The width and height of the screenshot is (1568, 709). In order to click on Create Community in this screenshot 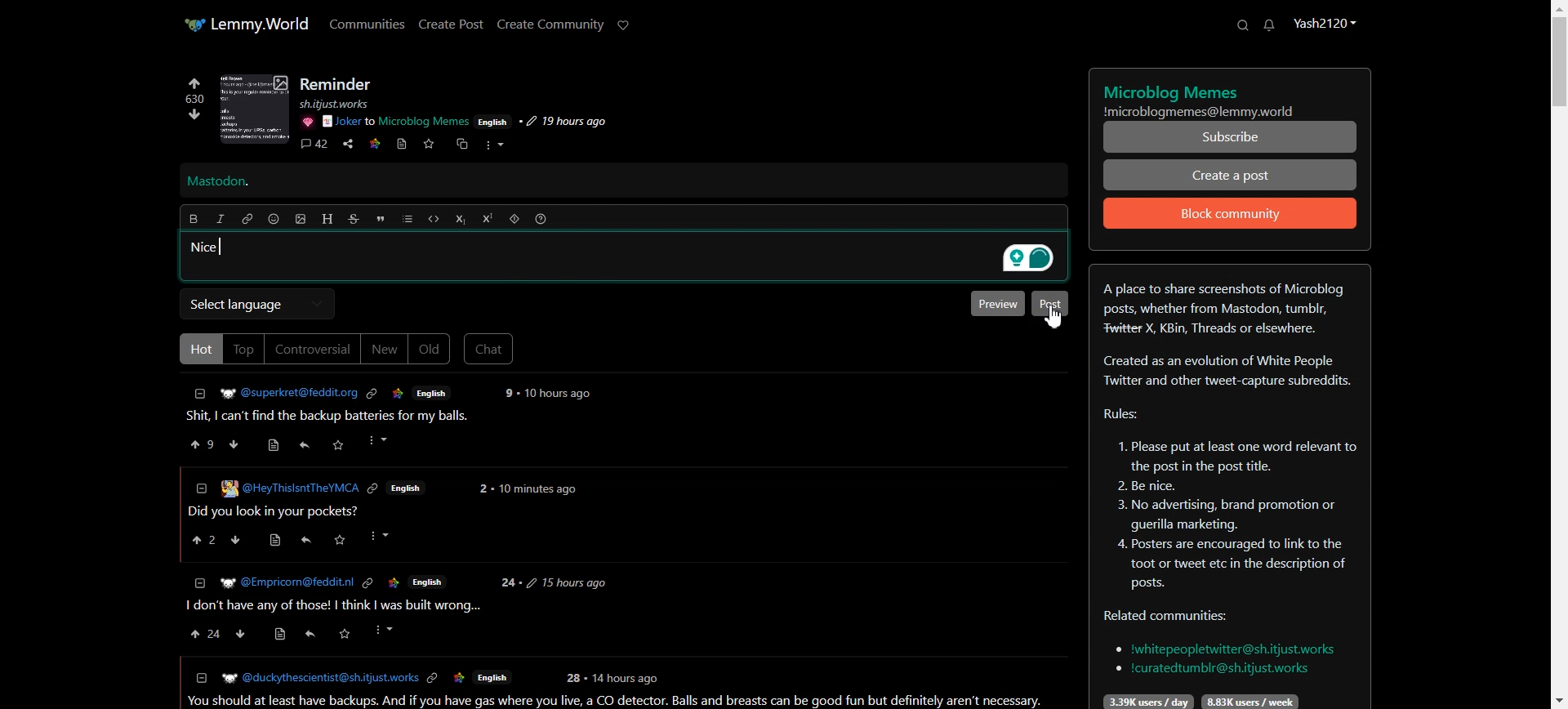, I will do `click(550, 25)`.